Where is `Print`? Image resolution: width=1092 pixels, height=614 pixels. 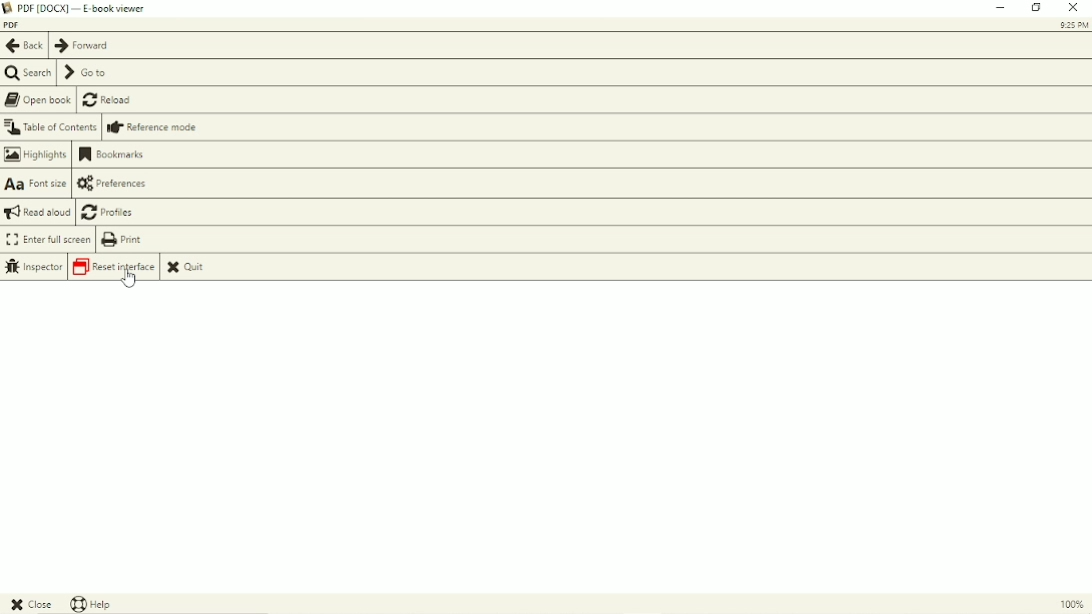
Print is located at coordinates (124, 239).